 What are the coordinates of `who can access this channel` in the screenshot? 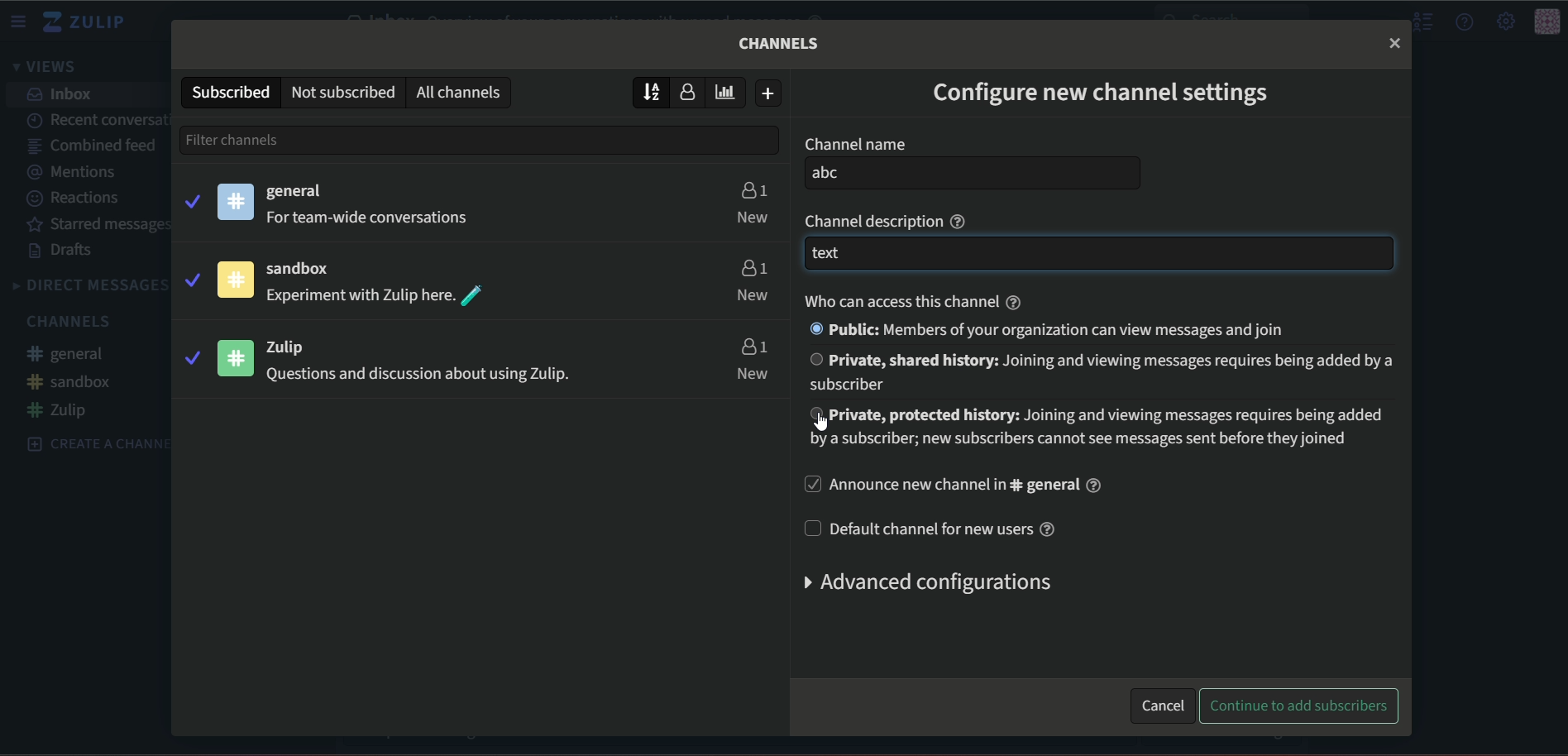 It's located at (906, 301).